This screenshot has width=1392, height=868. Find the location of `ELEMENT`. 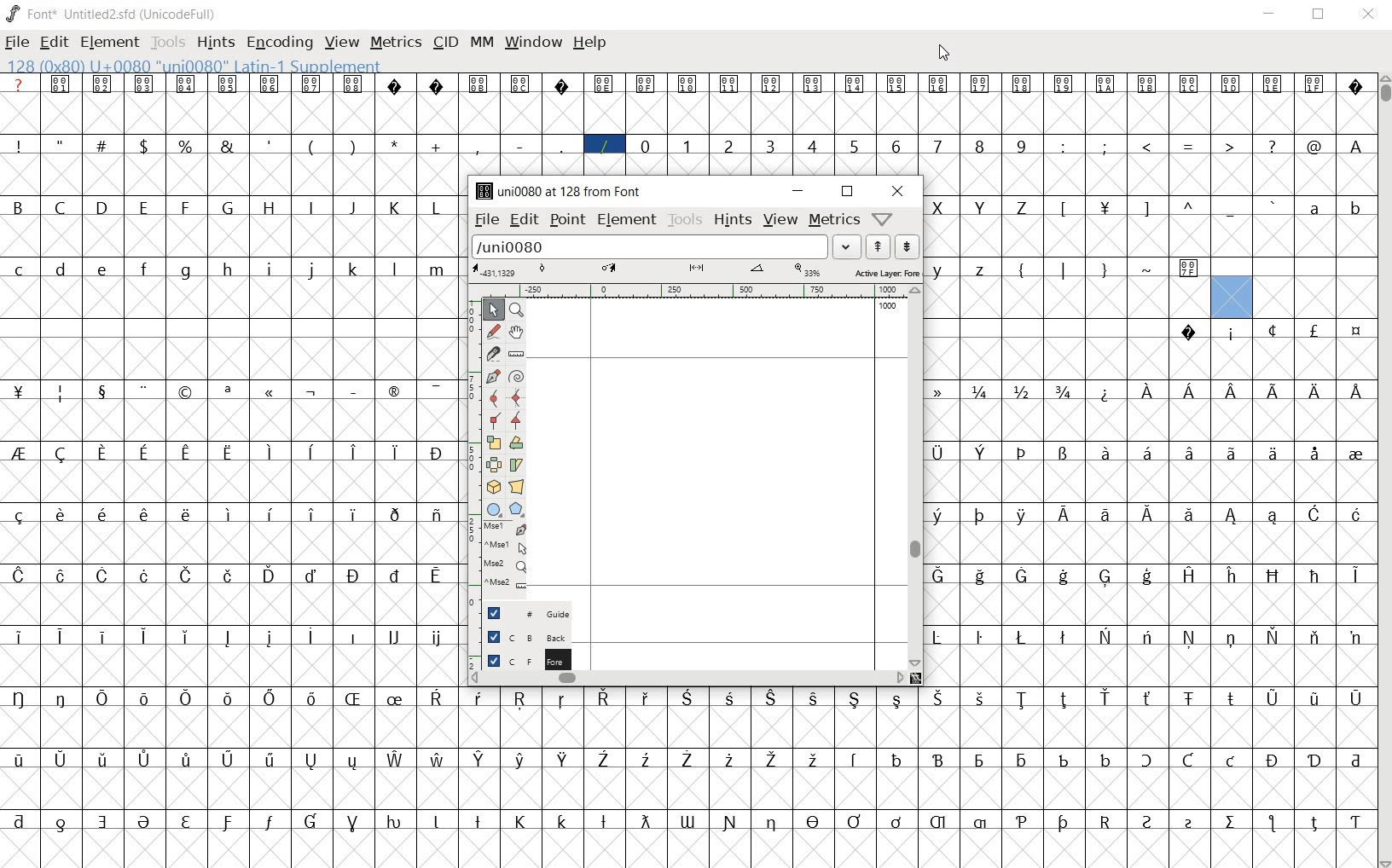

ELEMENT is located at coordinates (111, 43).